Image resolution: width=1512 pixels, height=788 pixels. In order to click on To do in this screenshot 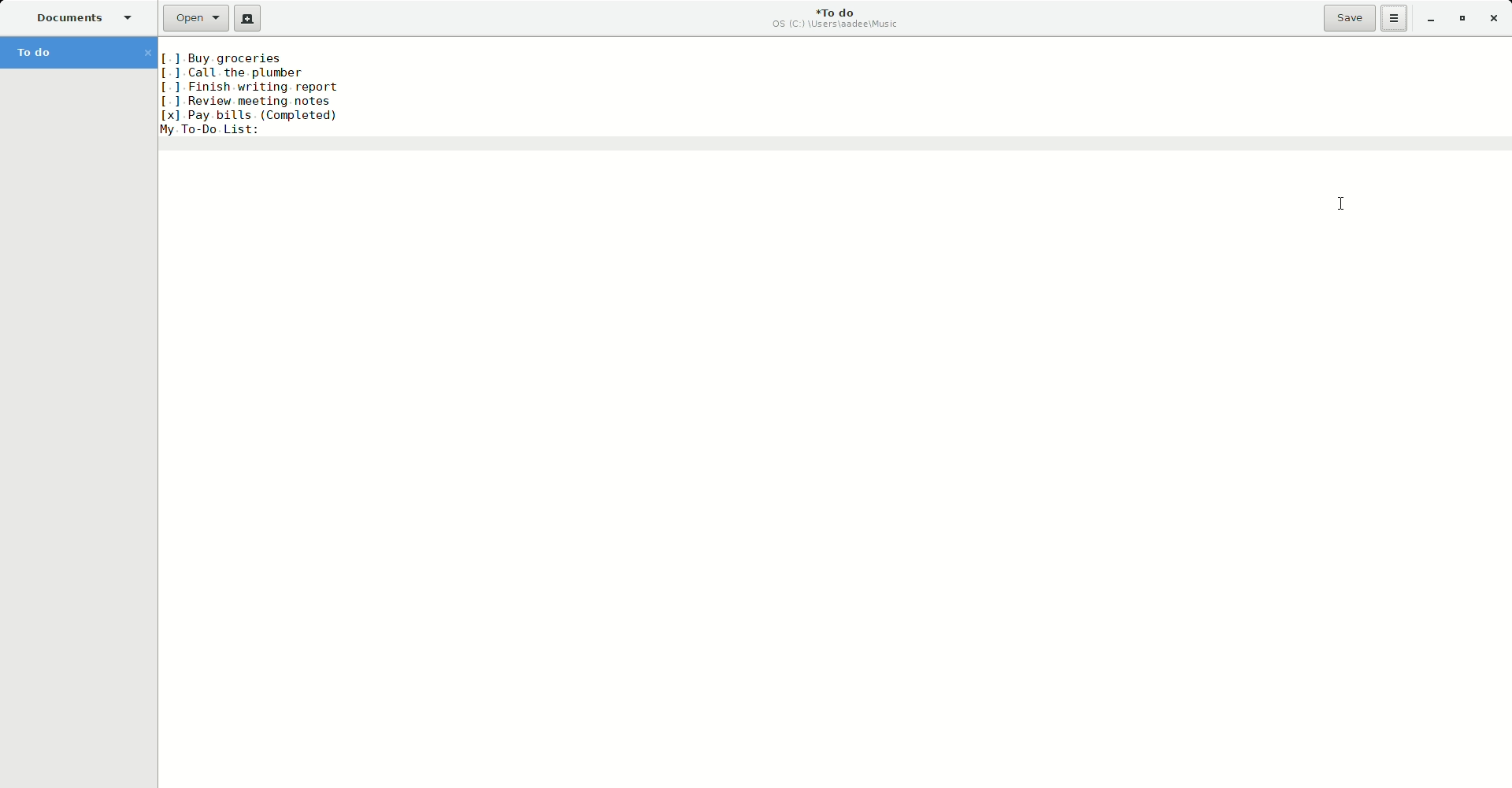, I will do `click(841, 20)`.